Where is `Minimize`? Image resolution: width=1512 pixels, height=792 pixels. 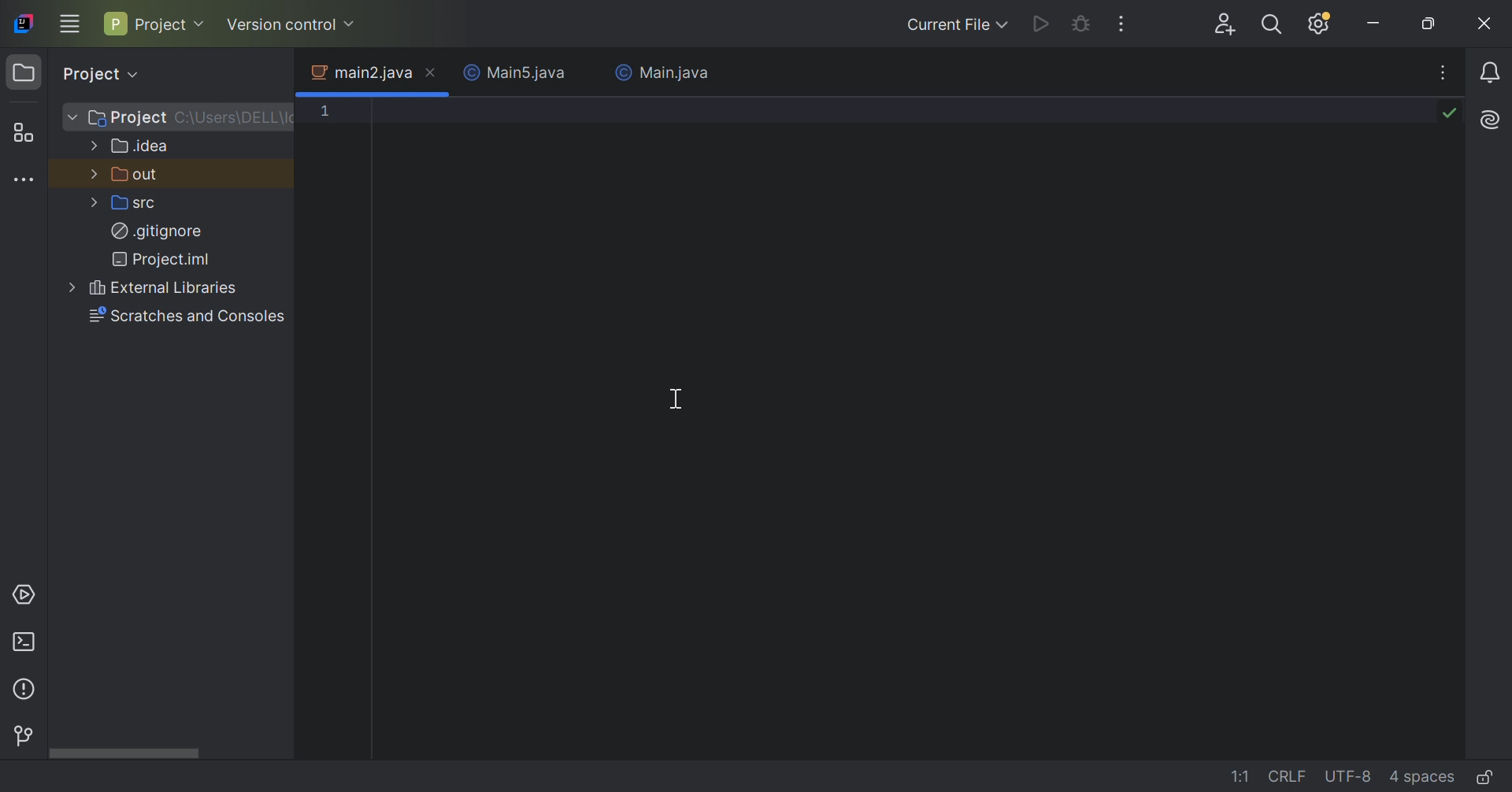 Minimize is located at coordinates (1378, 22).